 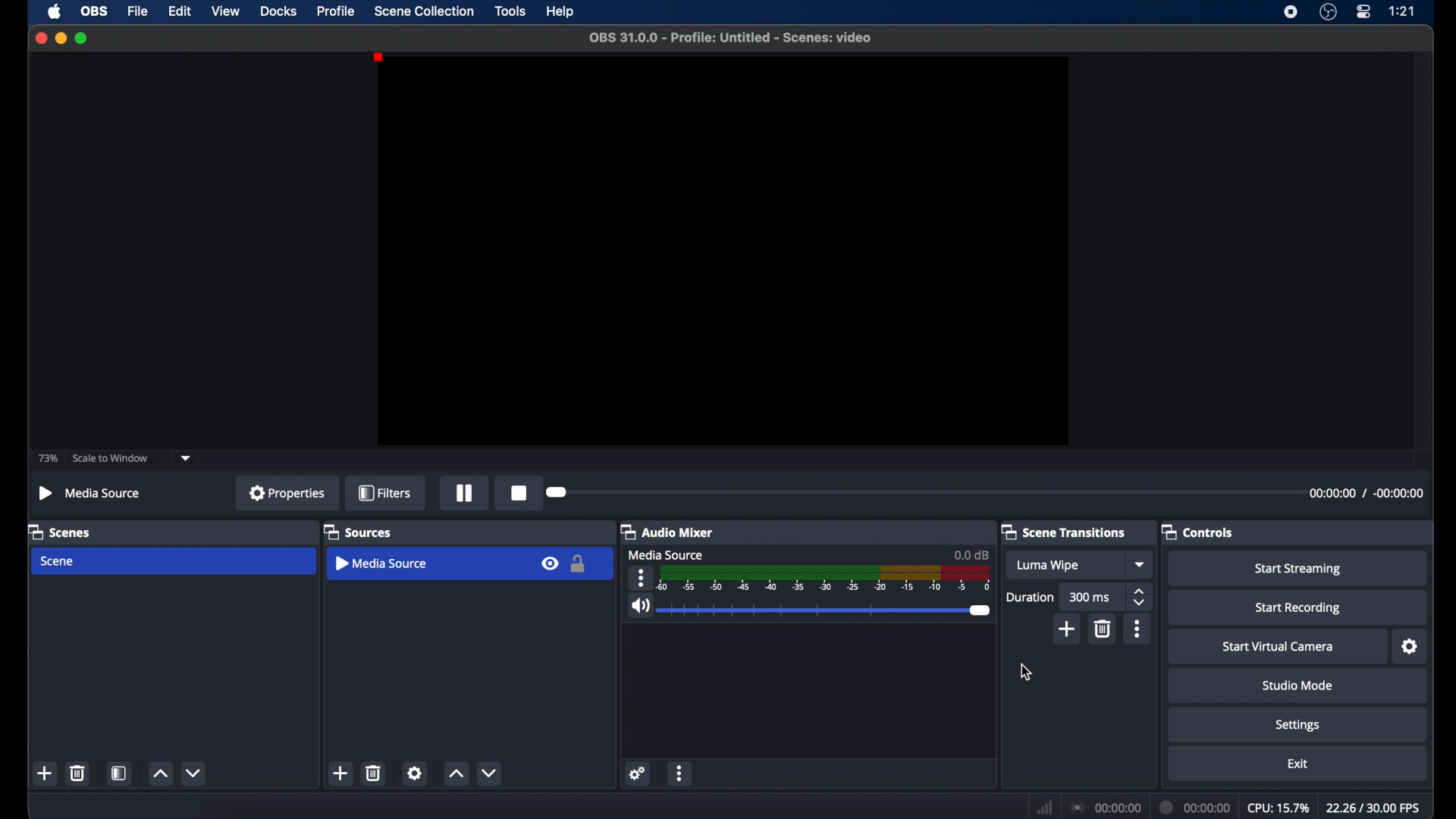 What do you see at coordinates (60, 532) in the screenshot?
I see `scenes` at bounding box center [60, 532].